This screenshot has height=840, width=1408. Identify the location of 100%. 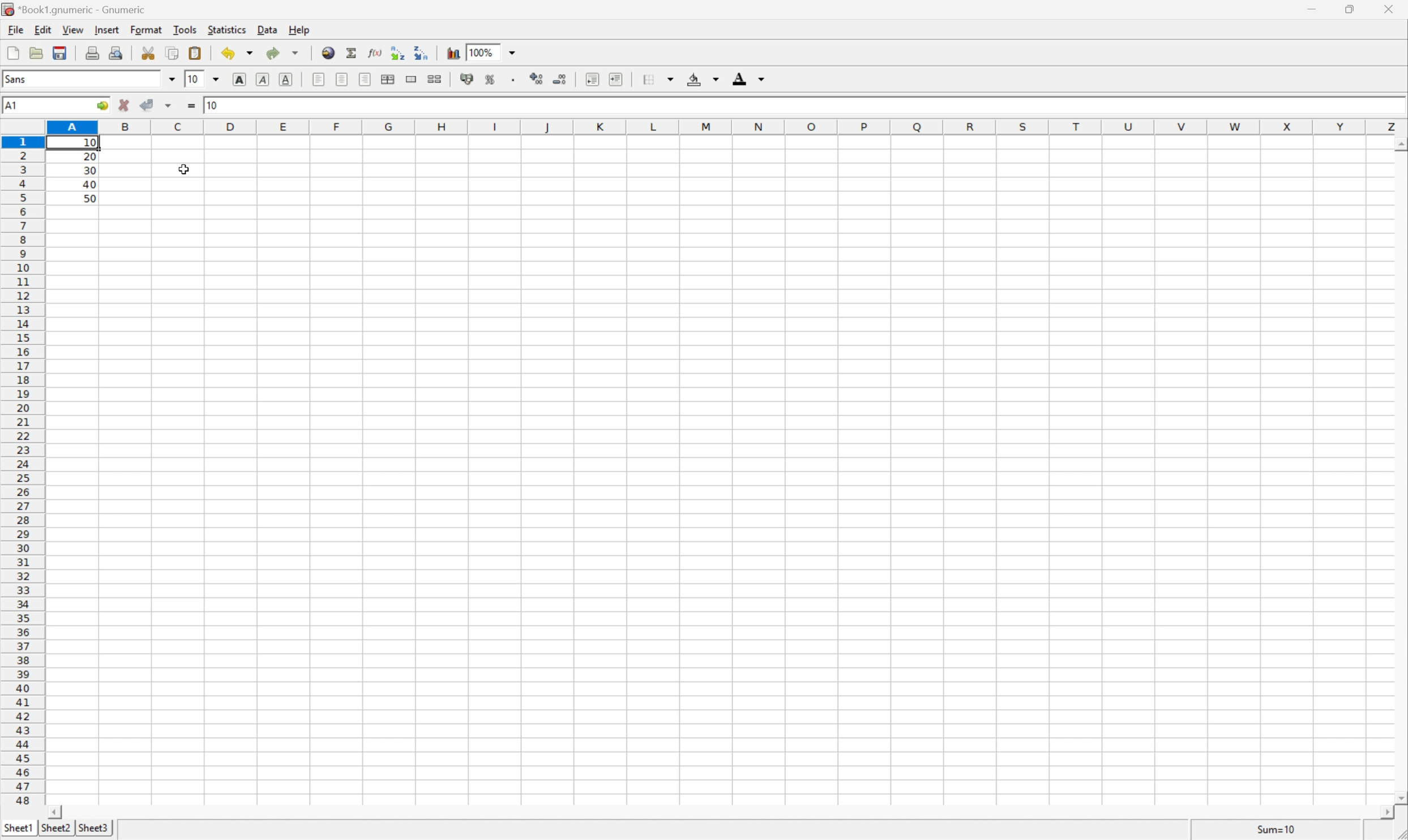
(481, 51).